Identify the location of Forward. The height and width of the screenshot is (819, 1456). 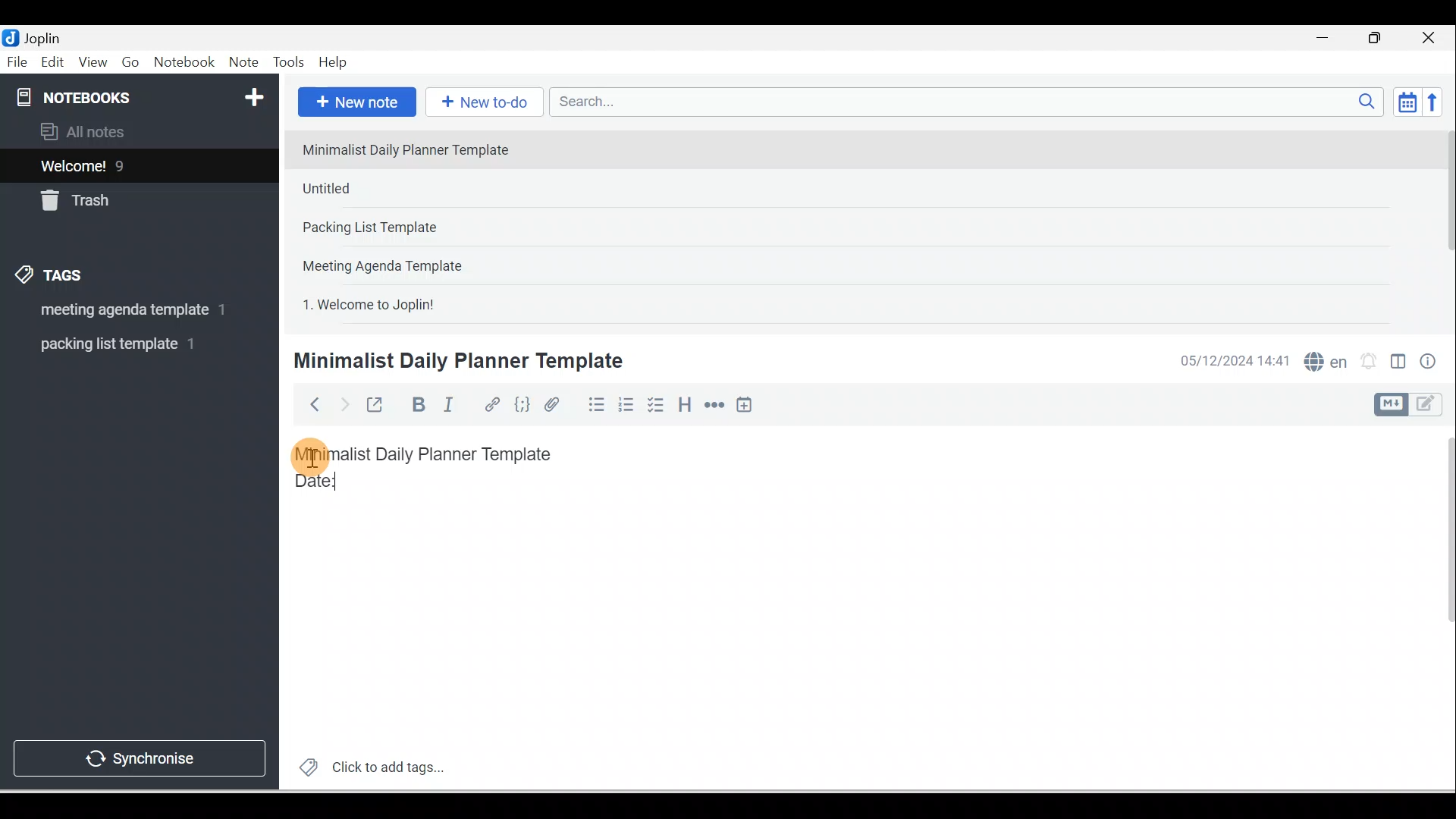
(343, 403).